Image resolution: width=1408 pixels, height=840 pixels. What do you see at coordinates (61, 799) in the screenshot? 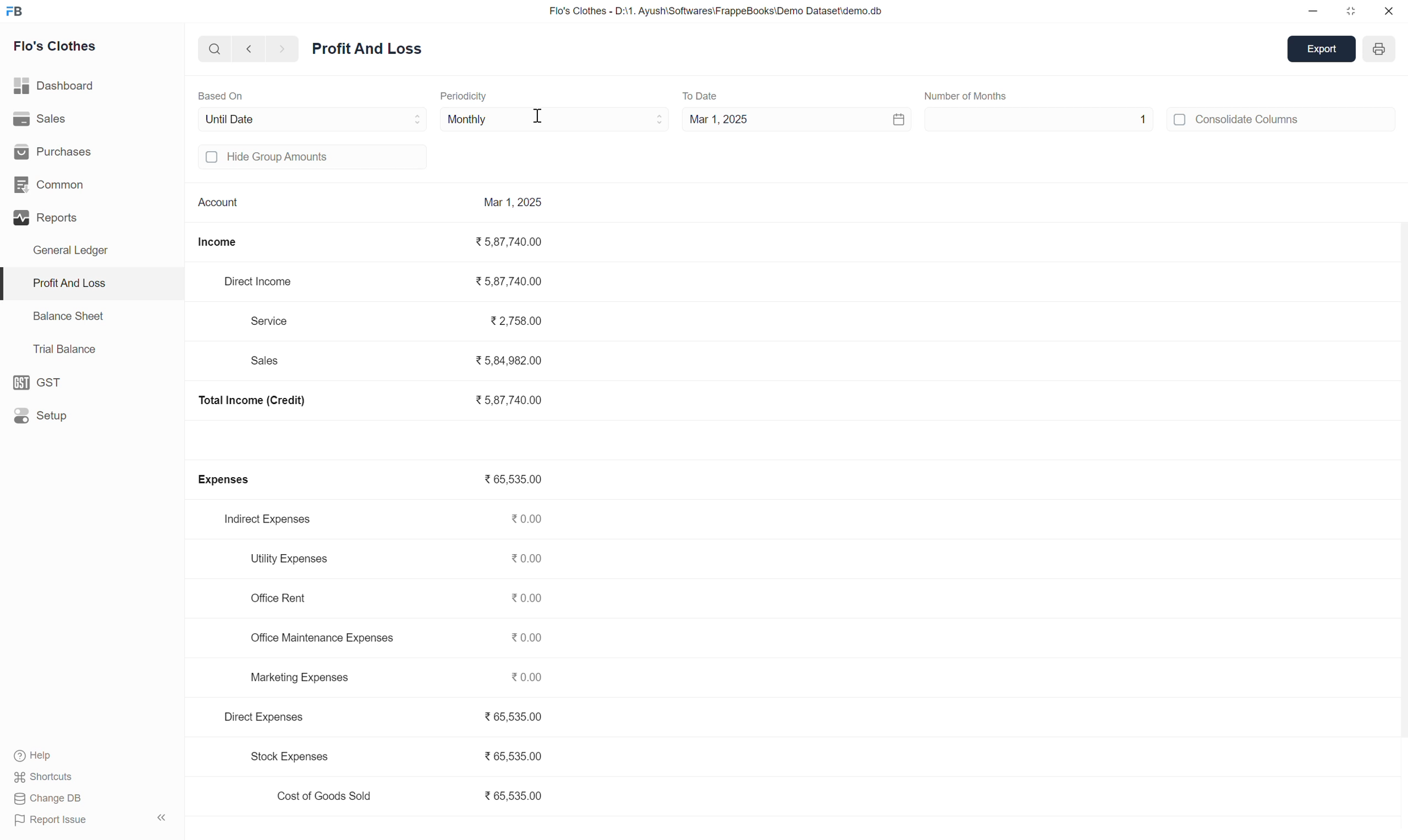
I see `change DB` at bounding box center [61, 799].